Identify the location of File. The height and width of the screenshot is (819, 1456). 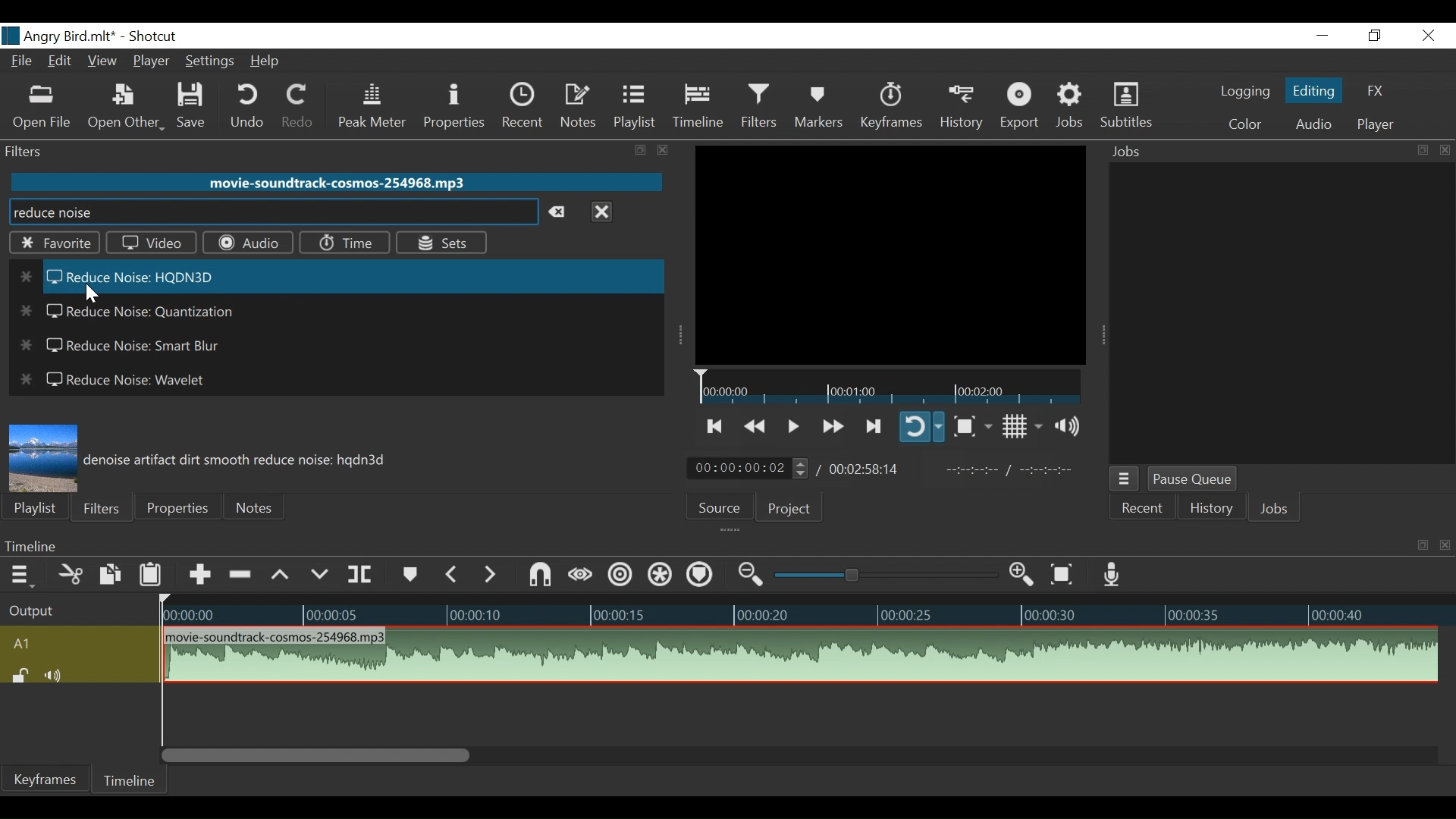
(24, 63).